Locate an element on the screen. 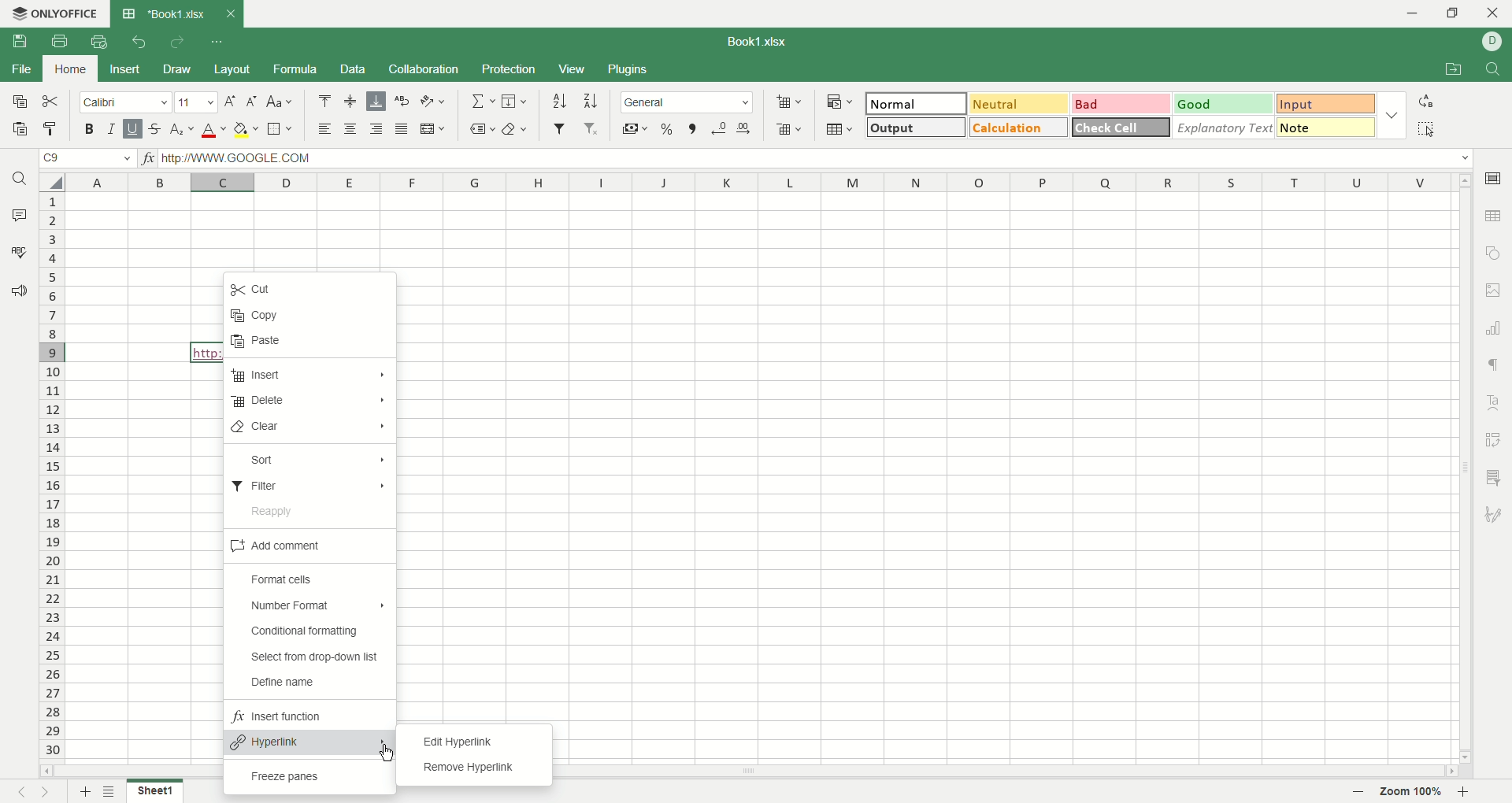 The width and height of the screenshot is (1512, 803). paste is located at coordinates (18, 129).